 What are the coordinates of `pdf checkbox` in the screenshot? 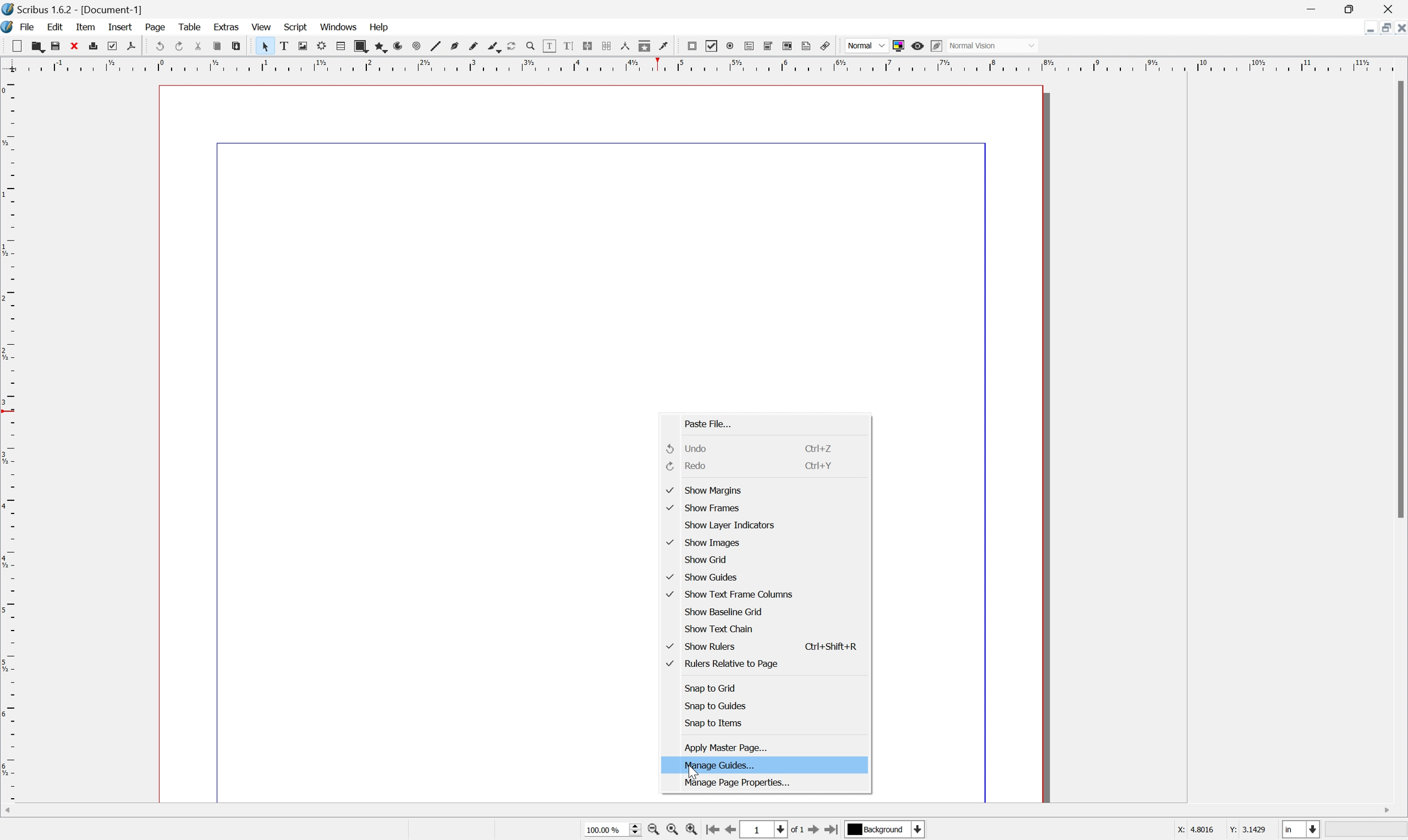 It's located at (713, 46).